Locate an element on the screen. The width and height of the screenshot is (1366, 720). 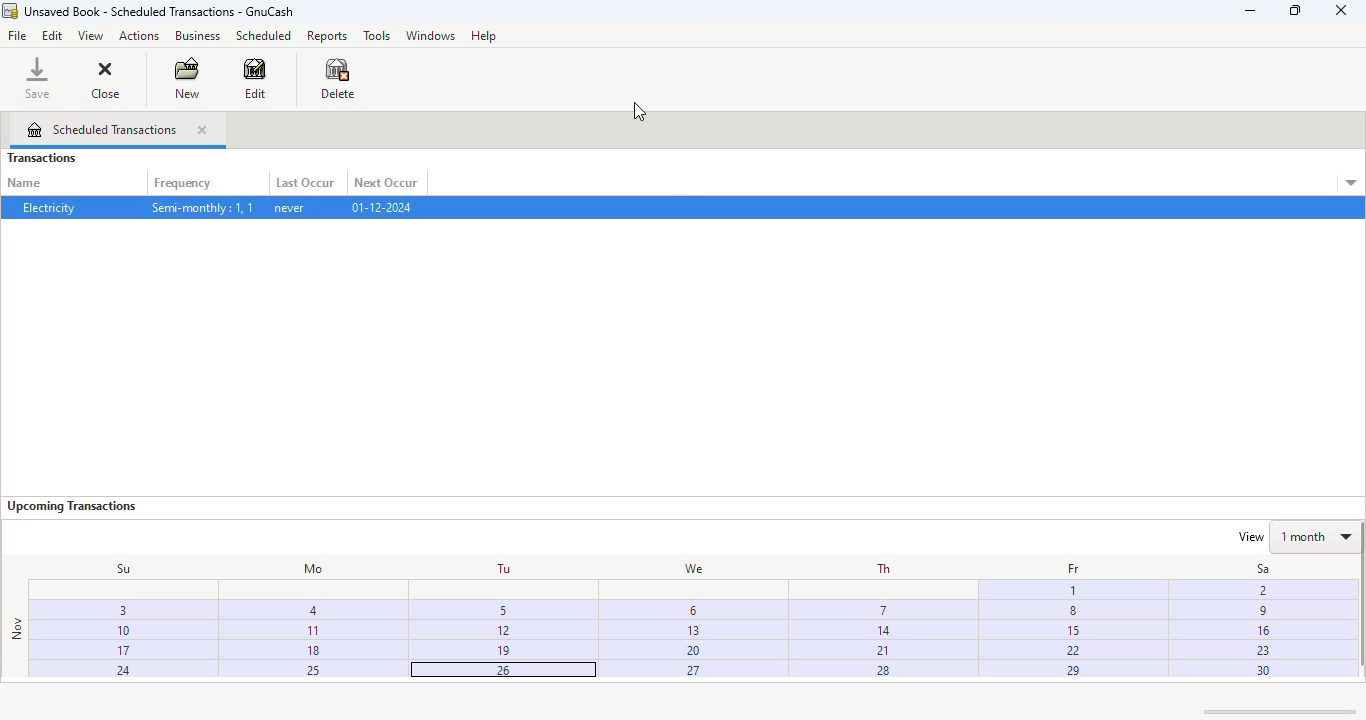
14 is located at coordinates (881, 632).